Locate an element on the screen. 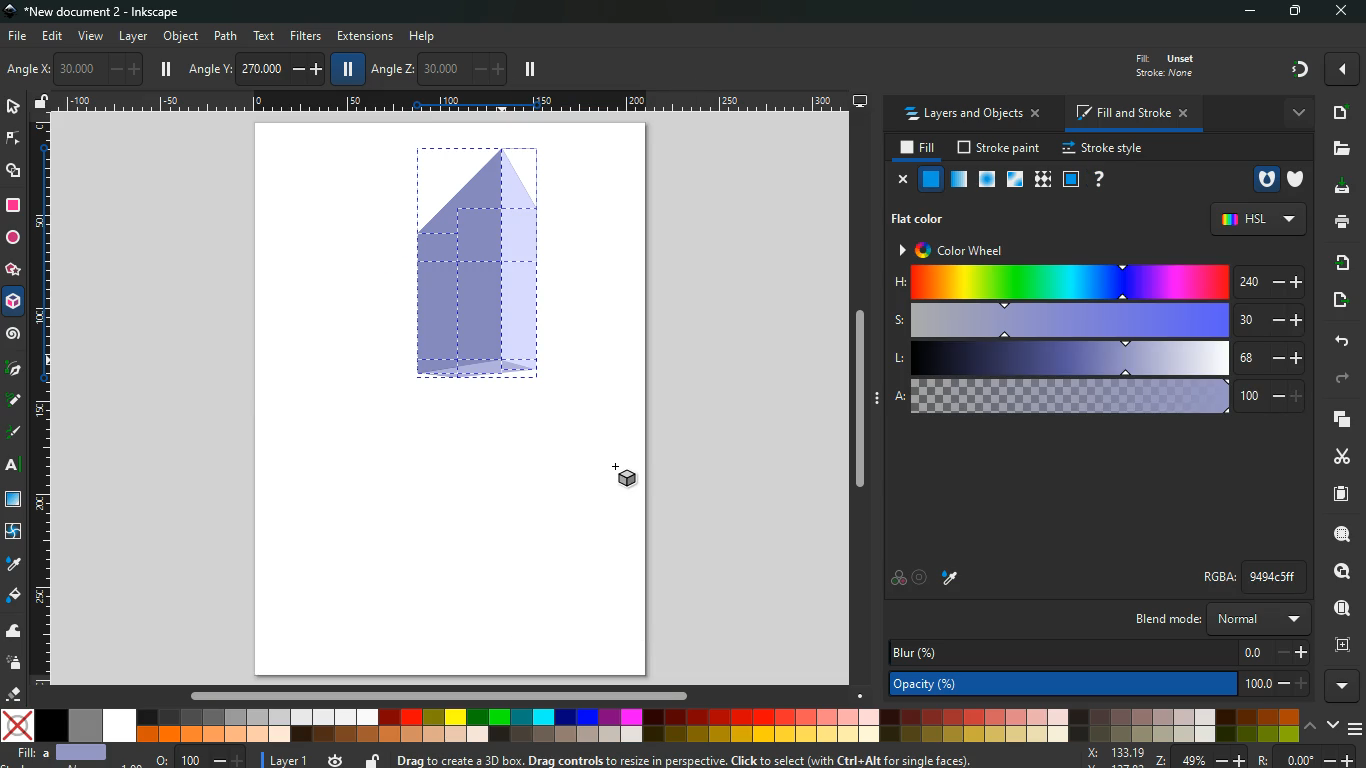  cut is located at coordinates (1342, 456).